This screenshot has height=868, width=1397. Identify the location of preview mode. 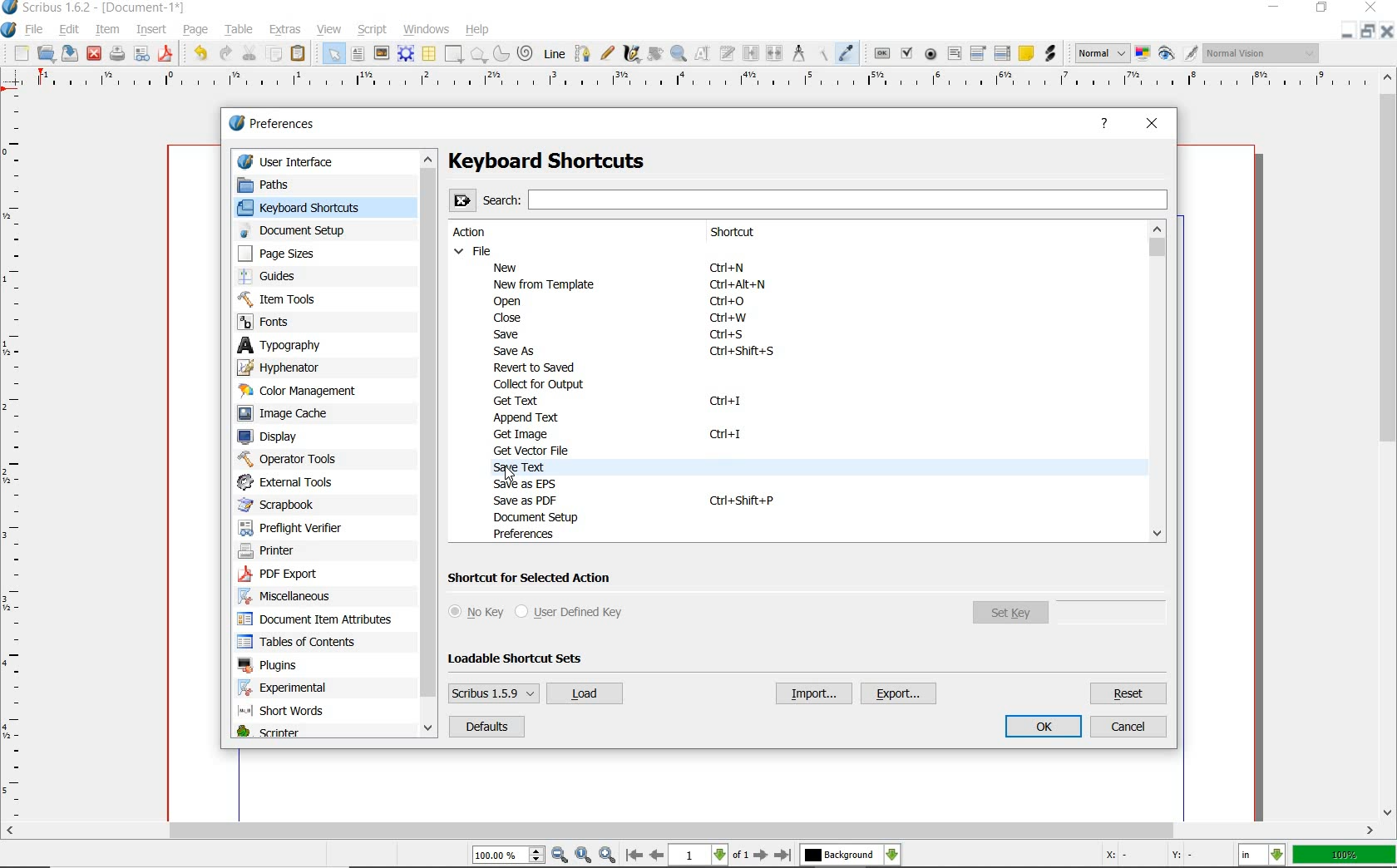
(1177, 53).